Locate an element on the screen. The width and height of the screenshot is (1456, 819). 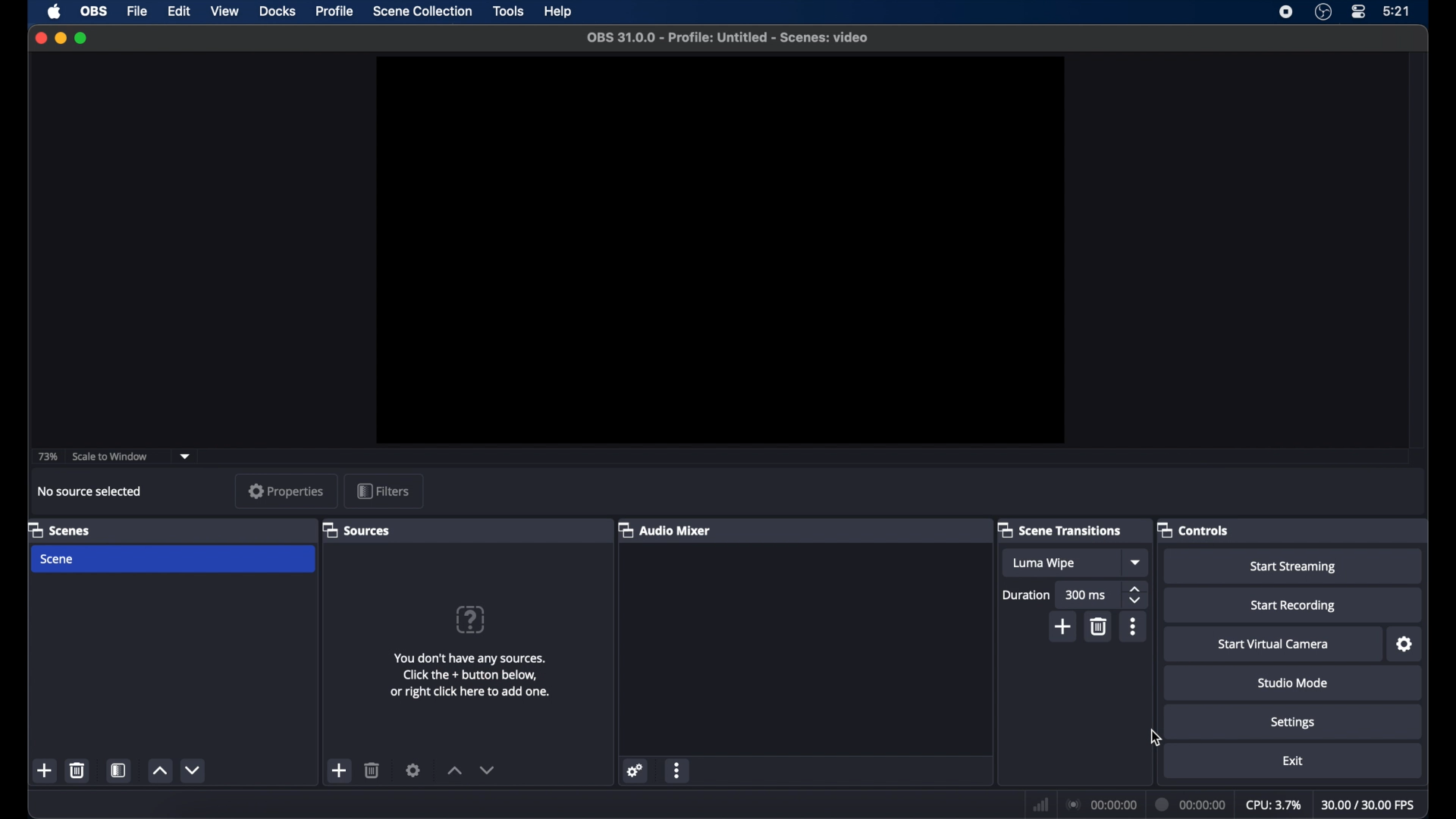
delete is located at coordinates (77, 770).